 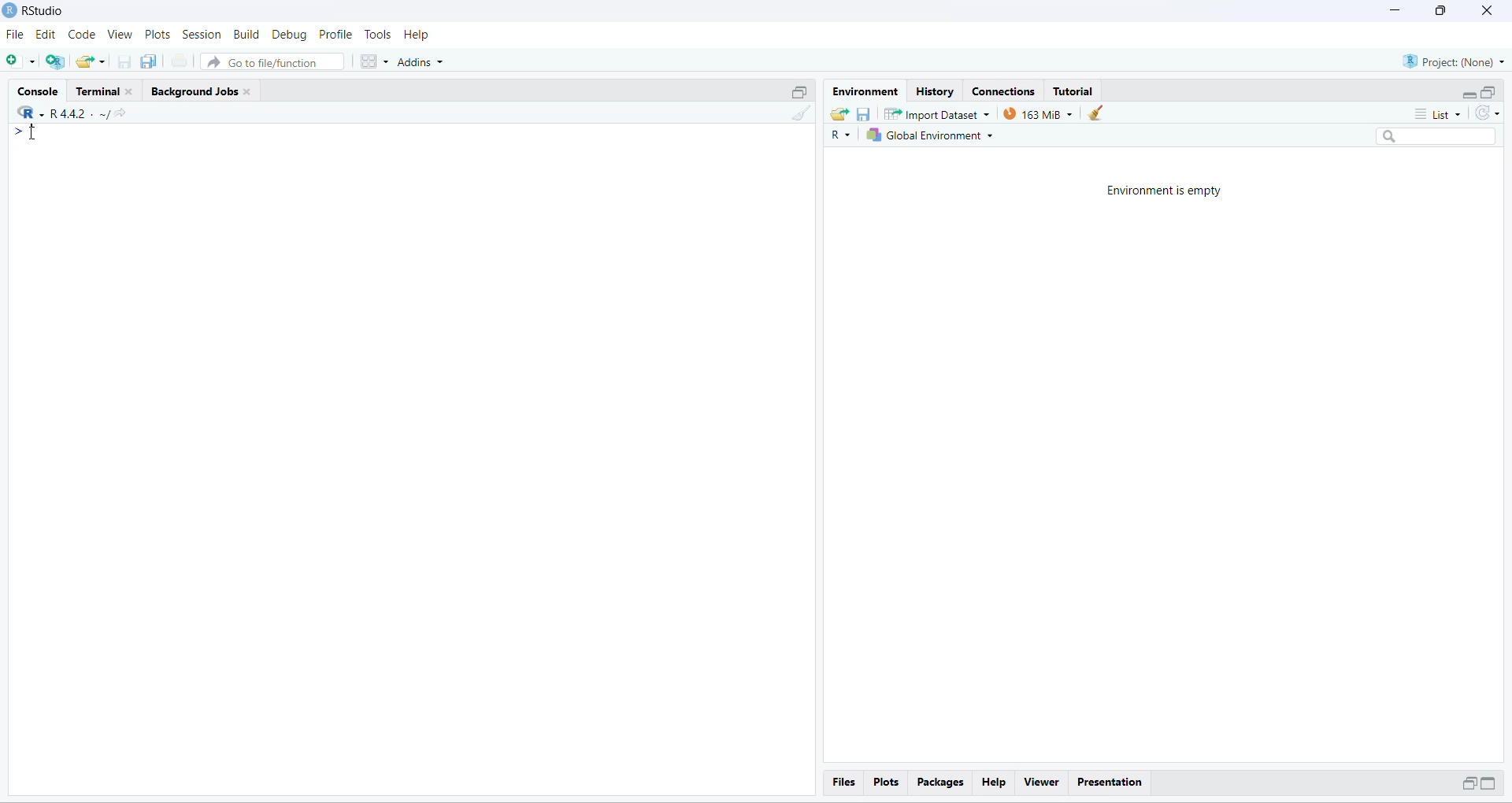 I want to click on save all open document, so click(x=150, y=61).